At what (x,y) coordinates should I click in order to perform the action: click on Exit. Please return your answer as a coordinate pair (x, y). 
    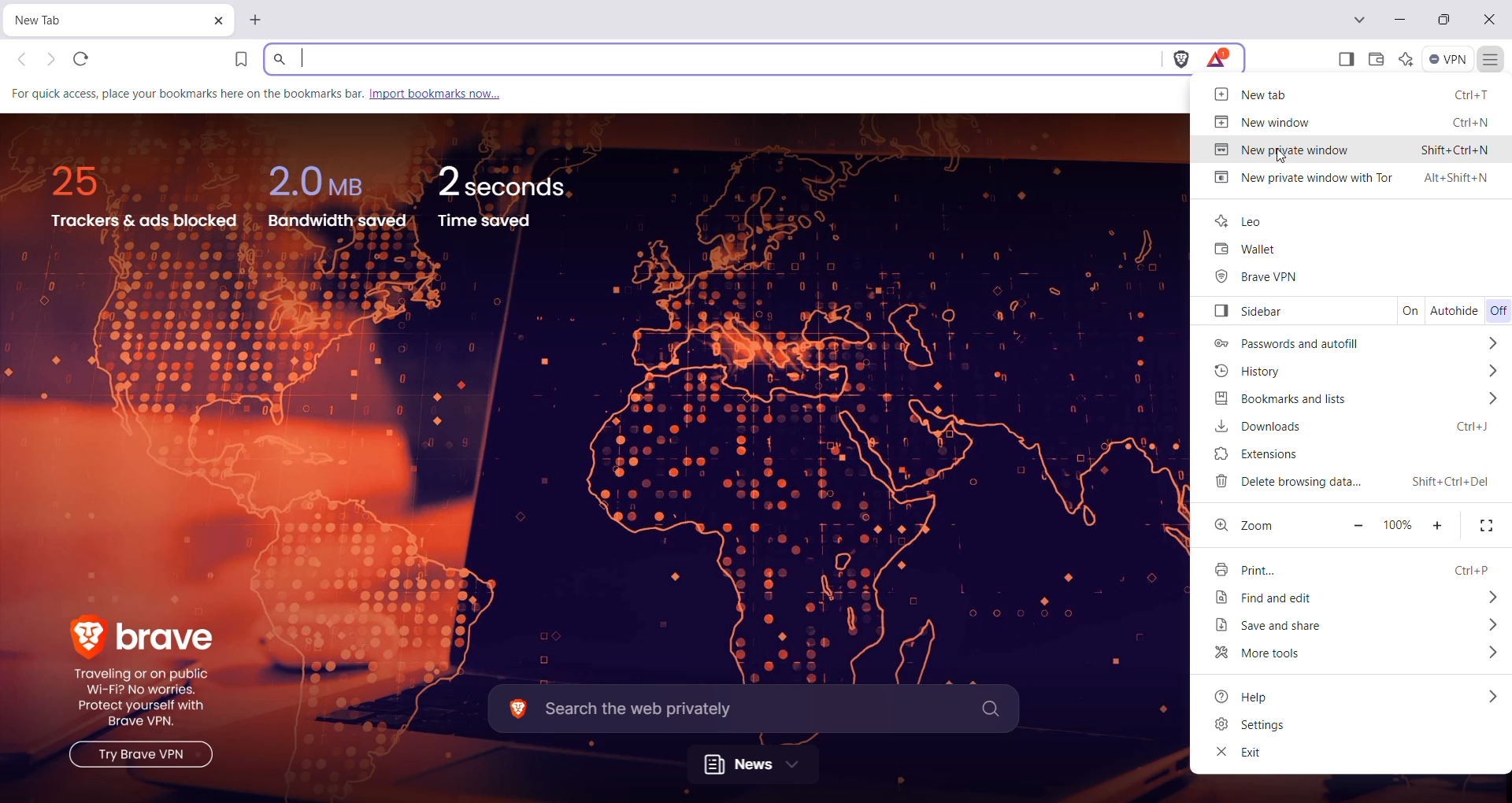
    Looking at the image, I should click on (1239, 753).